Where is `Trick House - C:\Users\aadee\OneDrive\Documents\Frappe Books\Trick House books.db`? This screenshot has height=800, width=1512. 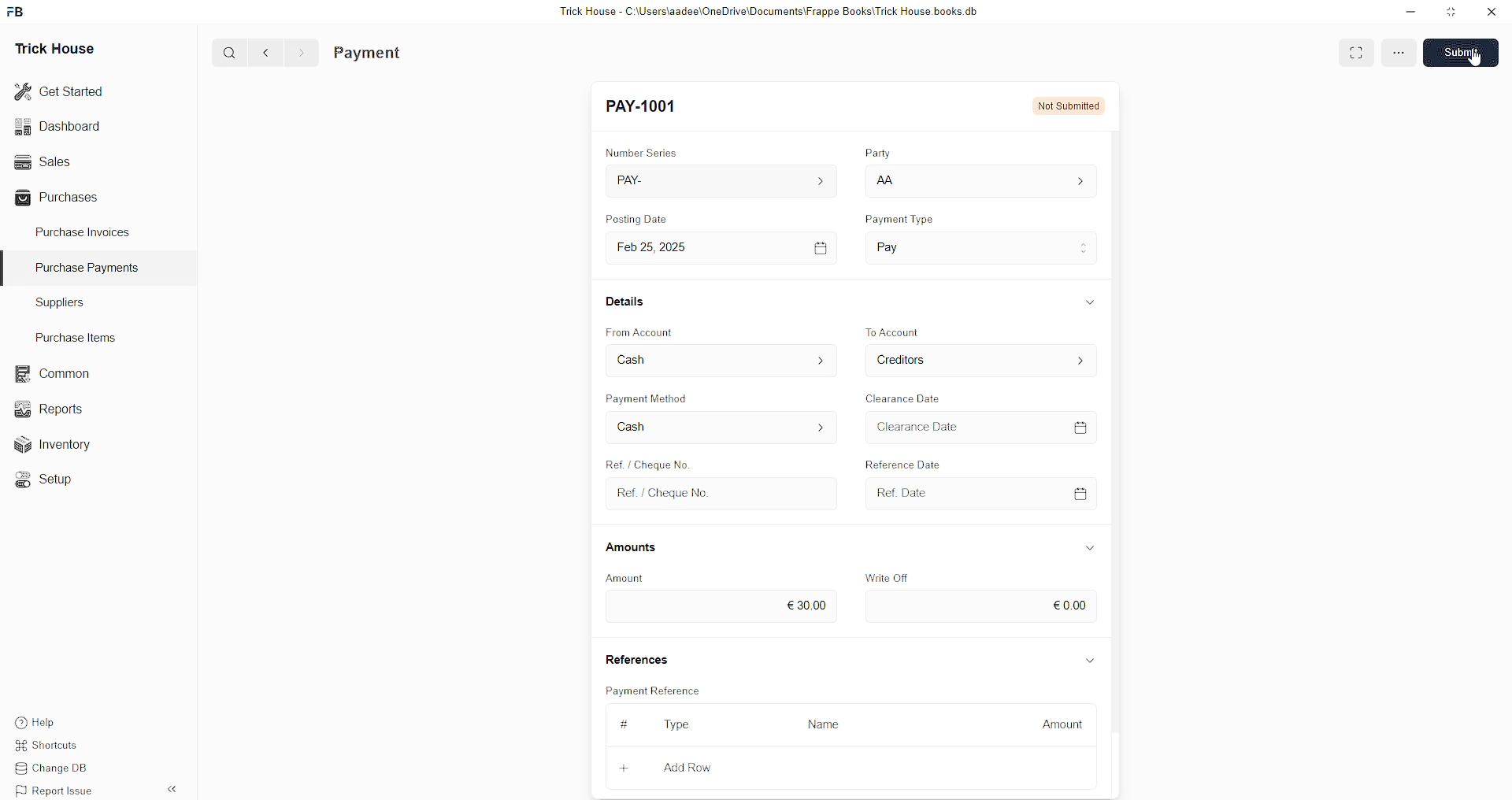 Trick House - C:\Users\aadee\OneDrive\Documents\Frappe Books\Trick House books.db is located at coordinates (772, 12).